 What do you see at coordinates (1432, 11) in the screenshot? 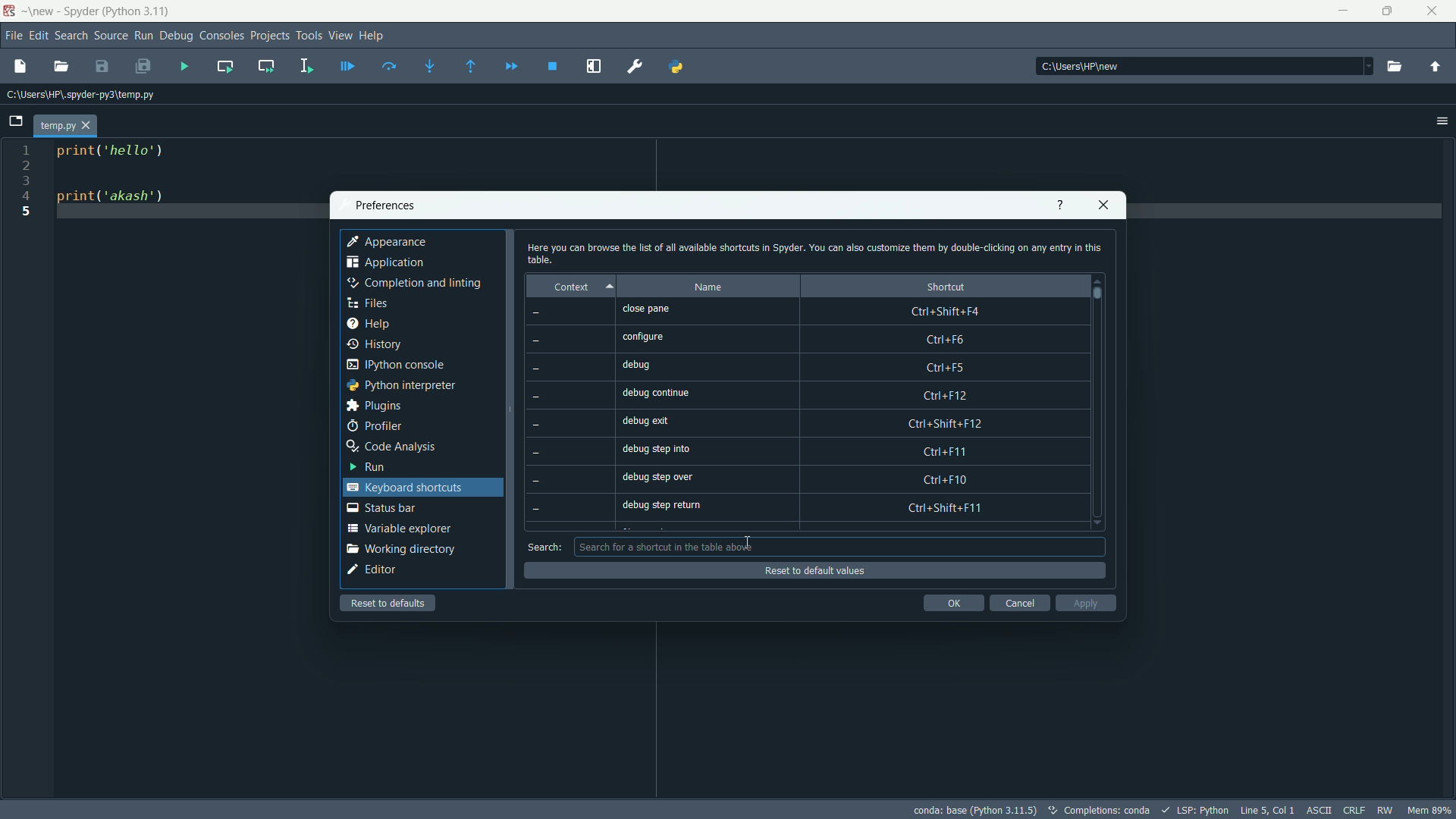
I see `close app` at bounding box center [1432, 11].